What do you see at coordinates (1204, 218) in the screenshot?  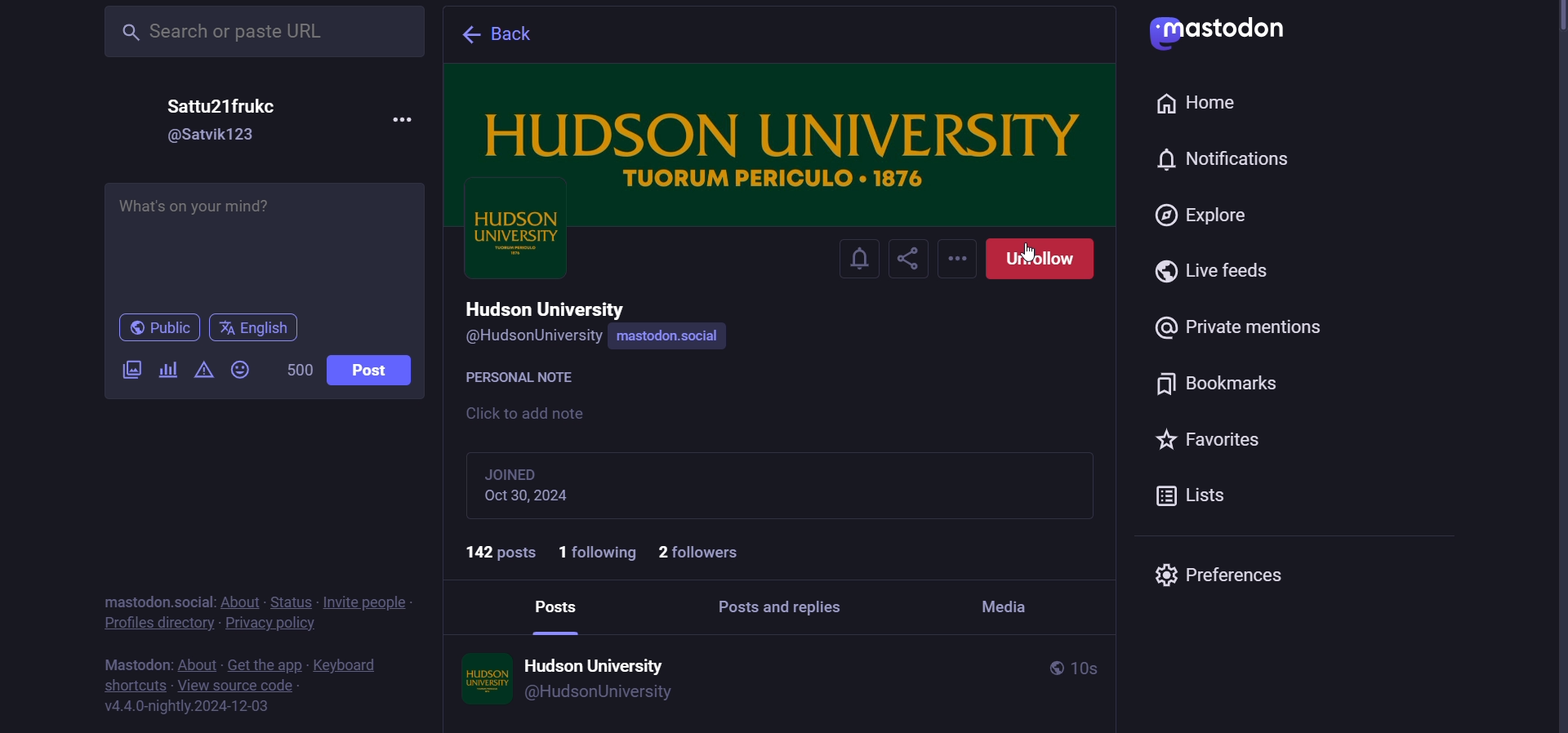 I see `explore` at bounding box center [1204, 218].